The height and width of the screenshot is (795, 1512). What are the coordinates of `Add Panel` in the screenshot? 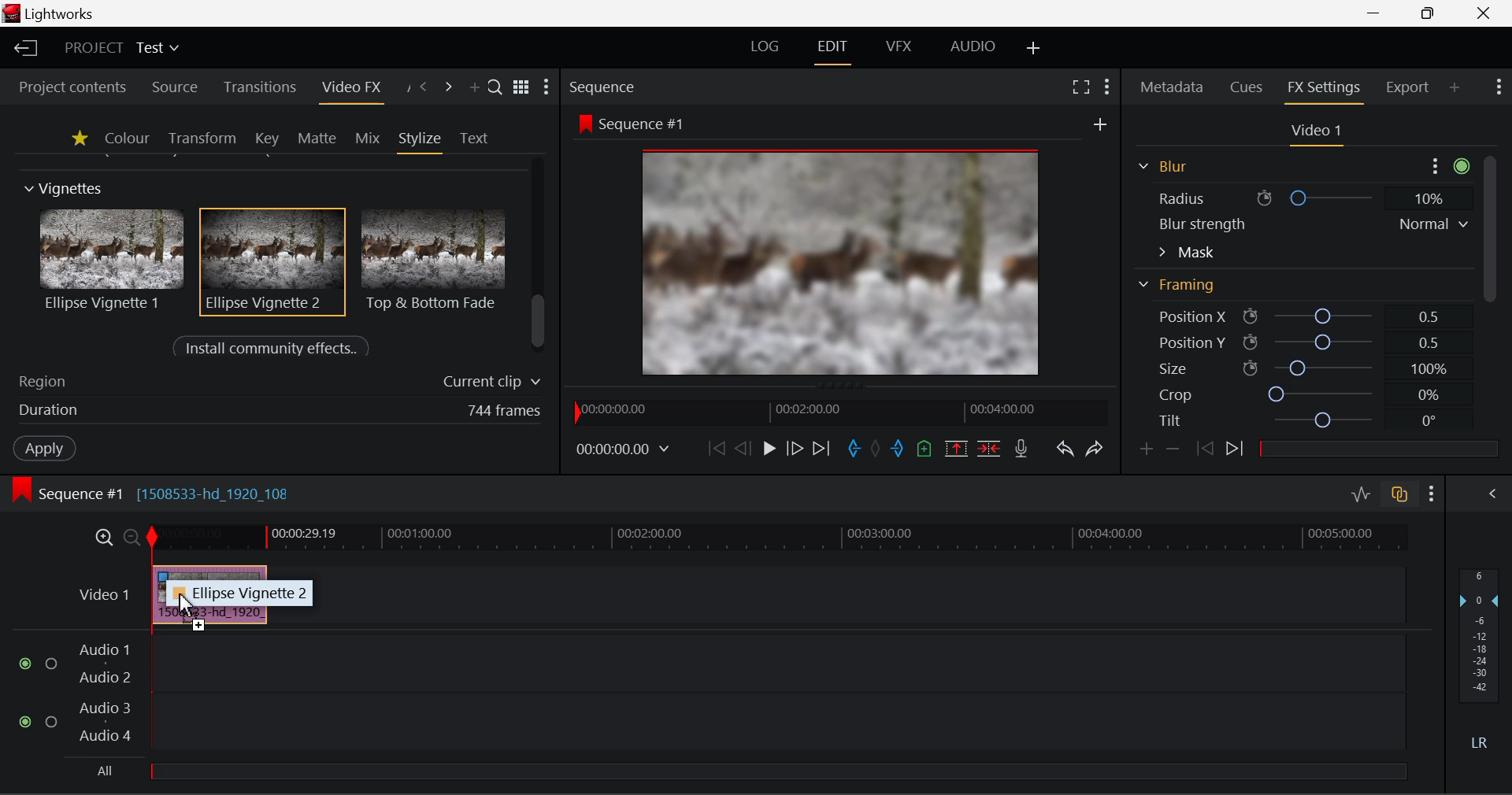 It's located at (1455, 89).